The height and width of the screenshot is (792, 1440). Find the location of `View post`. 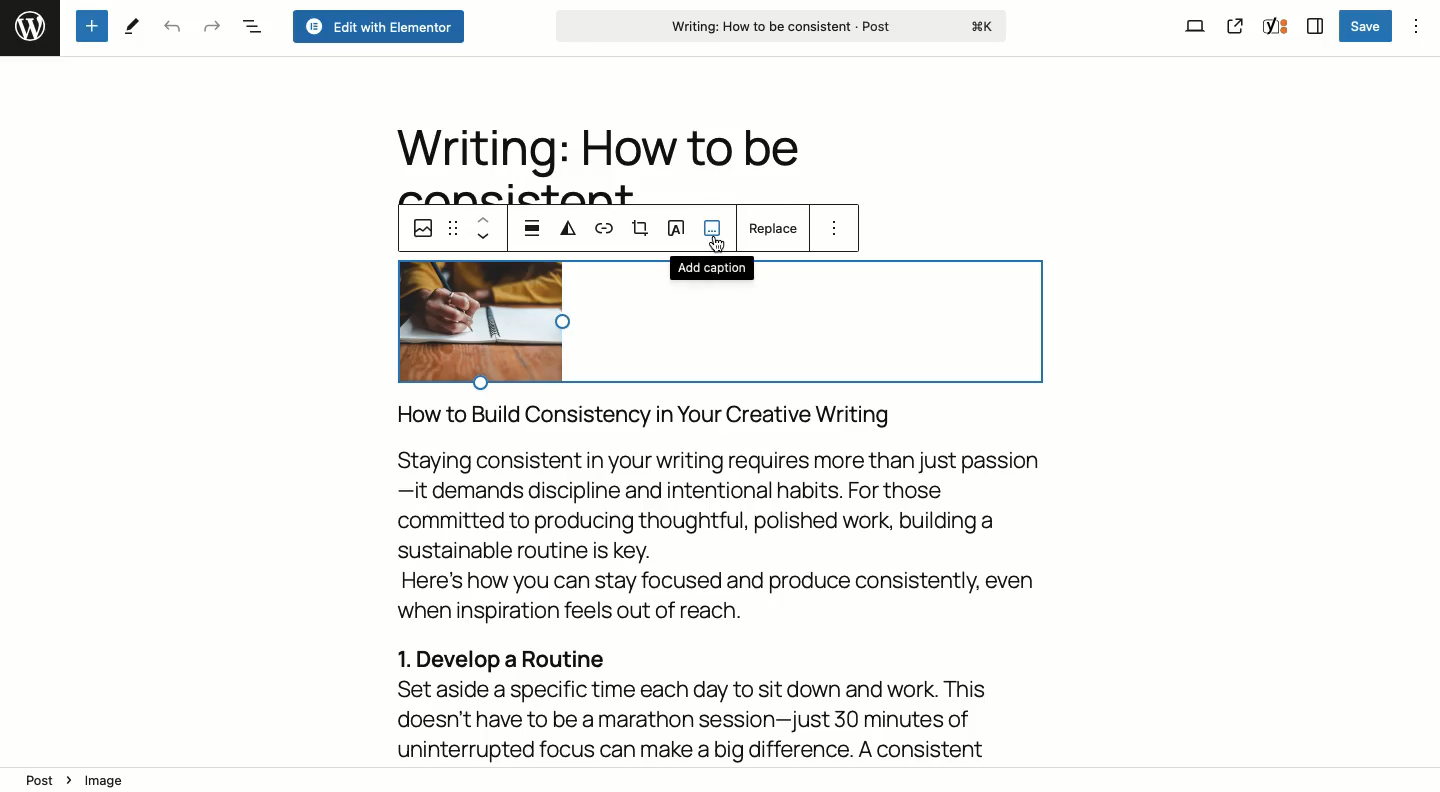

View post is located at coordinates (1235, 27).